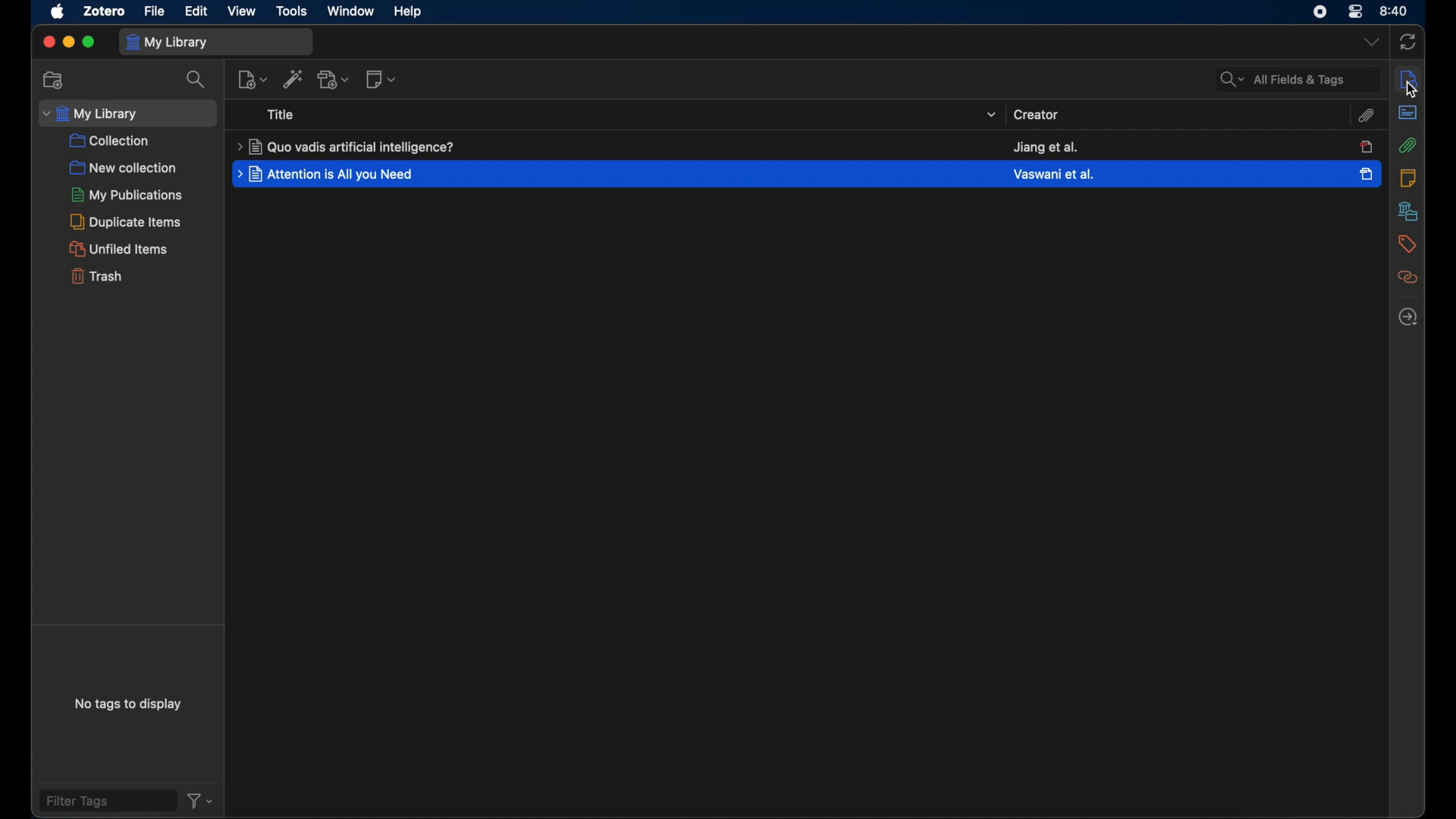 This screenshot has width=1456, height=819. Describe the element at coordinates (111, 141) in the screenshot. I see `collection` at that location.